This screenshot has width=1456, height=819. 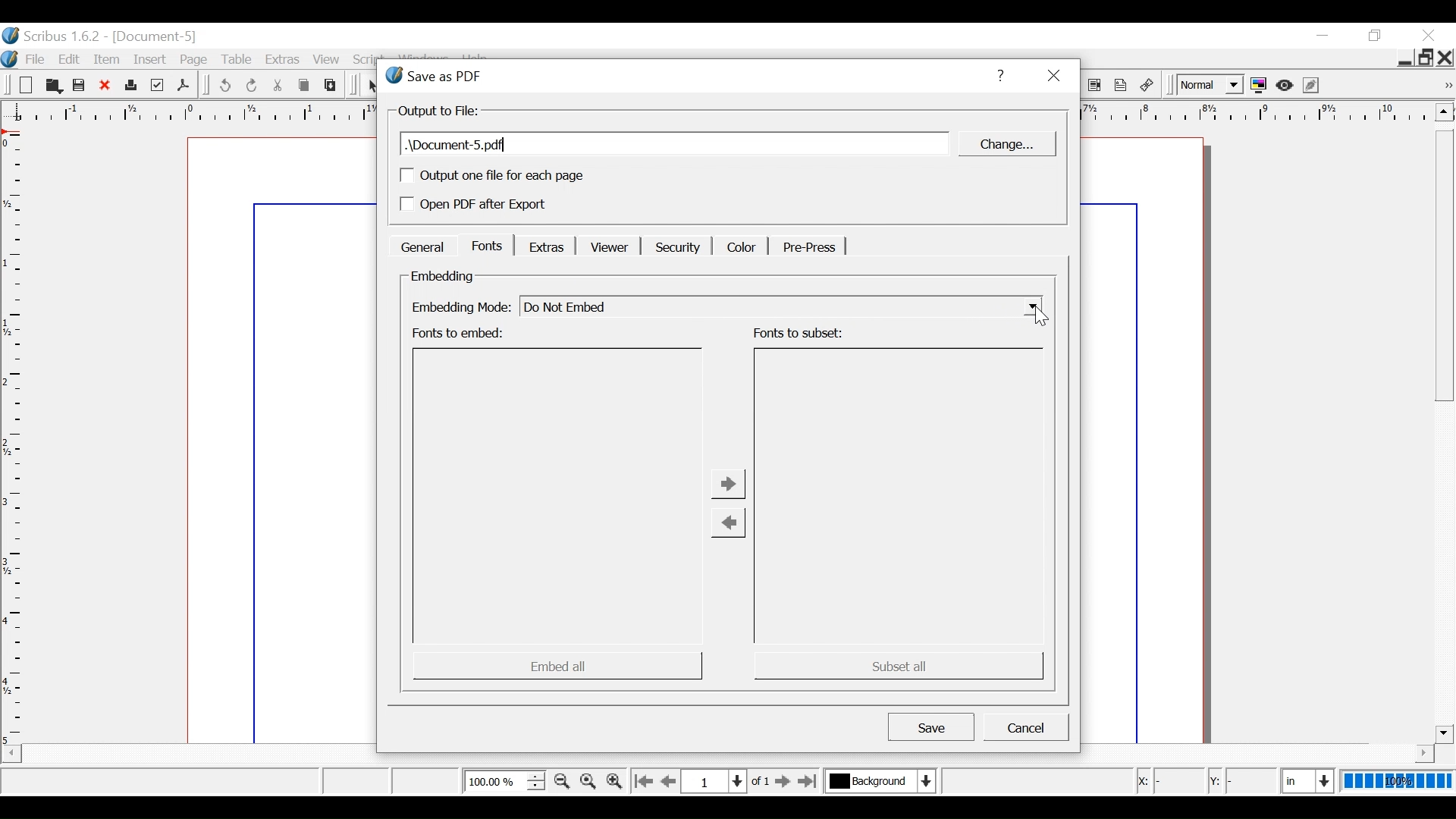 I want to click on File, so click(x=34, y=60).